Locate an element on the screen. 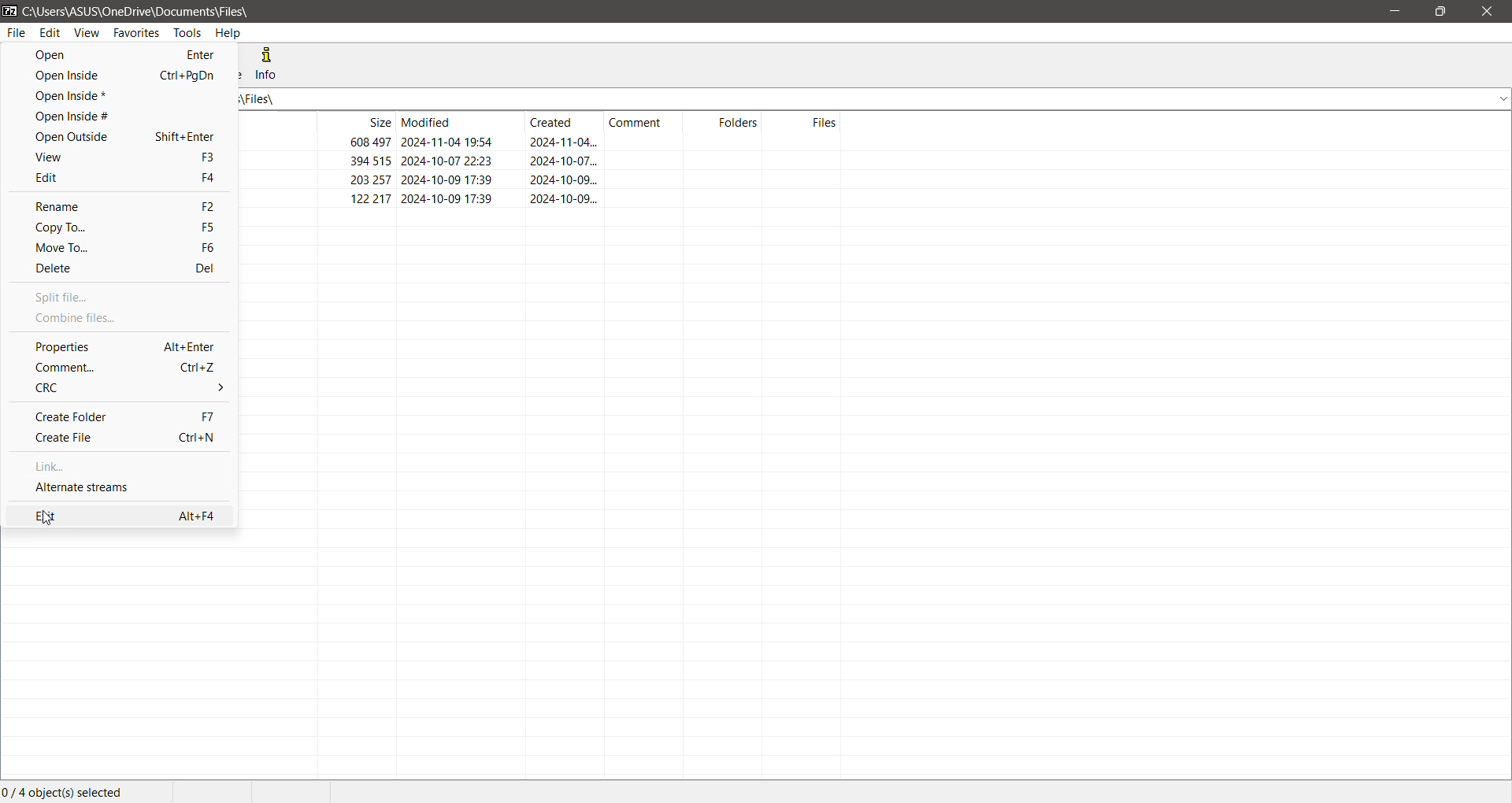 The height and width of the screenshot is (803, 1512). Open Inside is located at coordinates (123, 75).